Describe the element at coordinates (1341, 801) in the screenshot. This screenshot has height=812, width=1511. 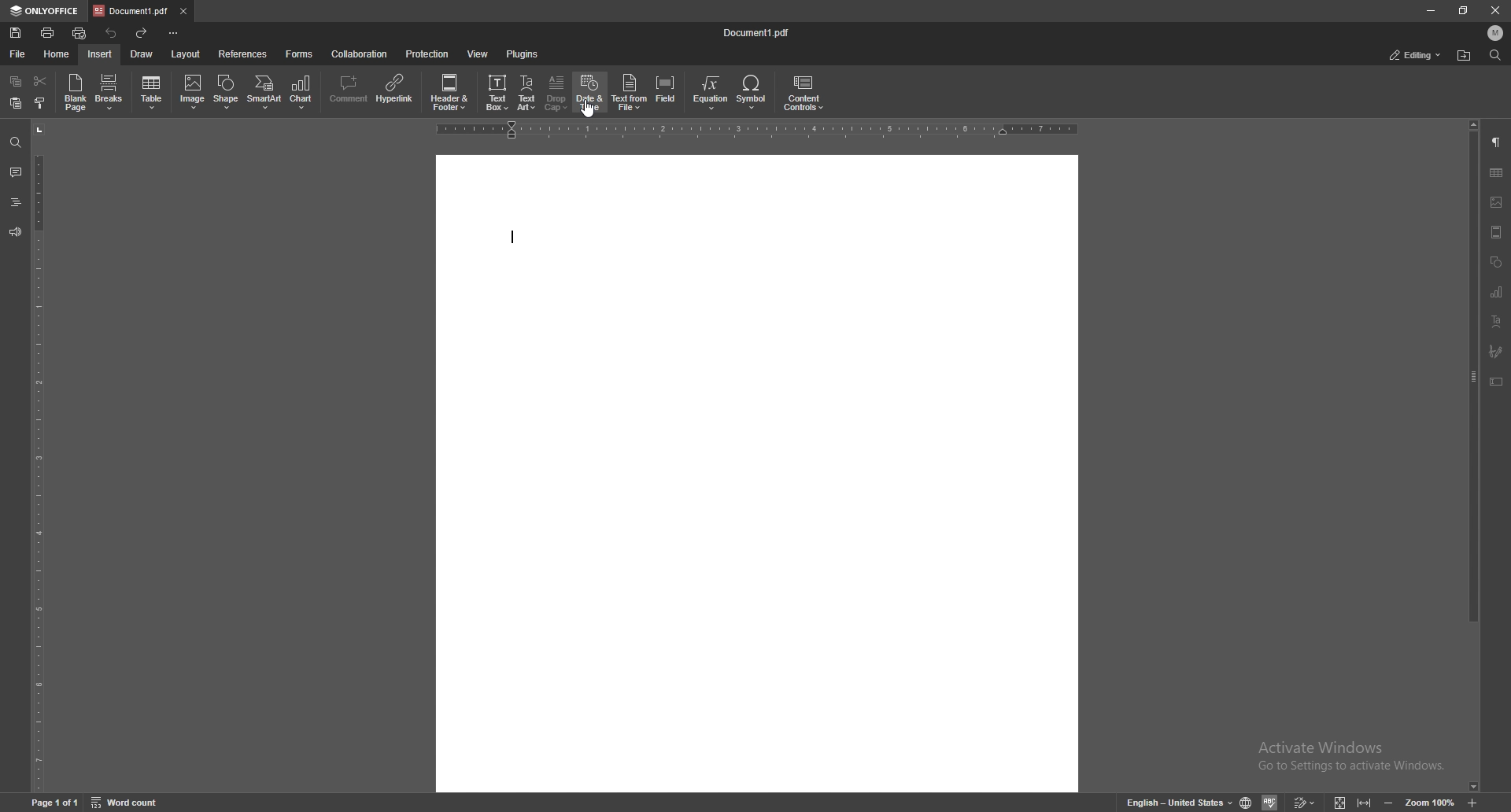
I see `fit to screen` at that location.